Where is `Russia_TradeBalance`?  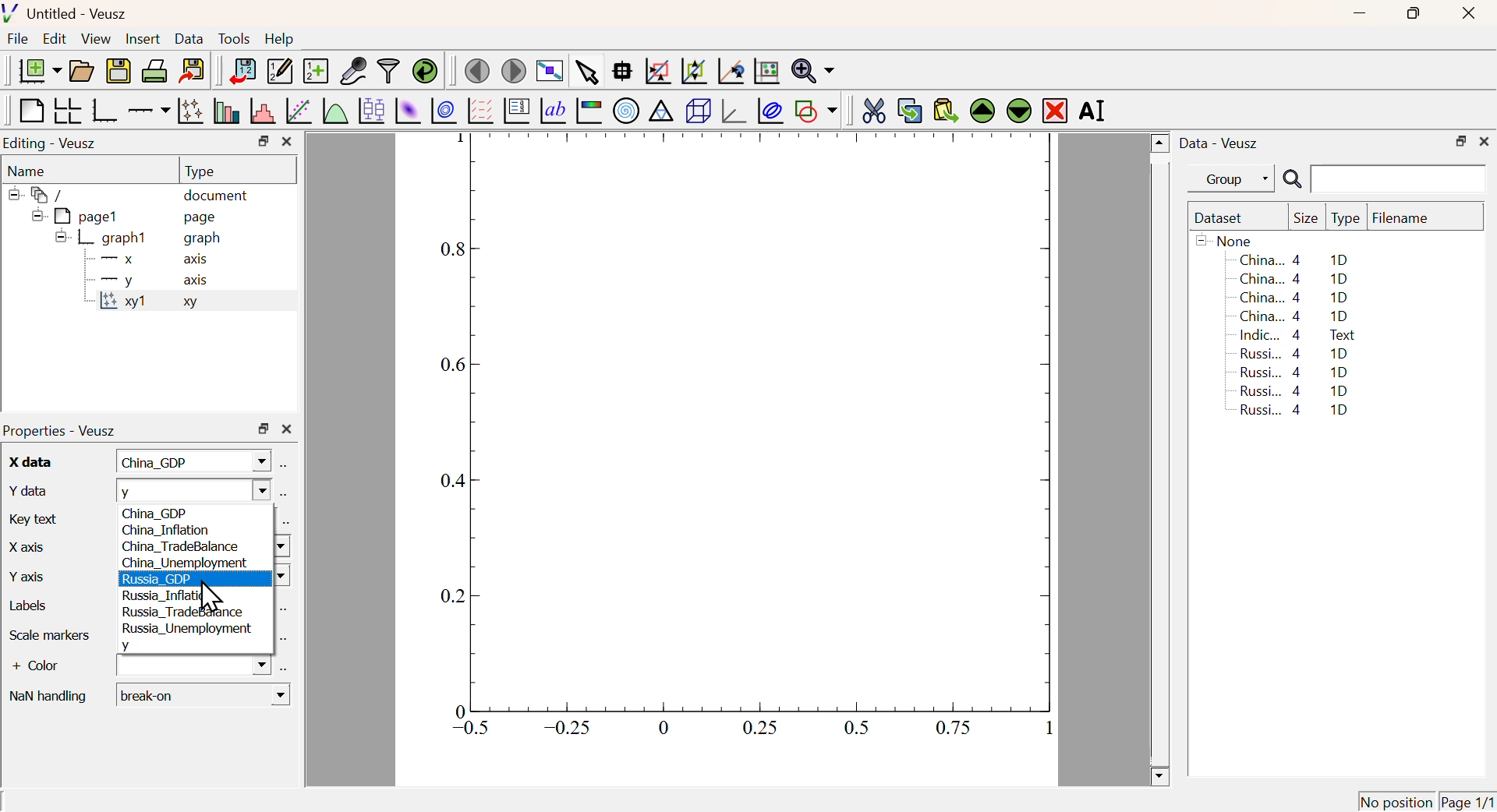
Russia_TradeBalance is located at coordinates (182, 612).